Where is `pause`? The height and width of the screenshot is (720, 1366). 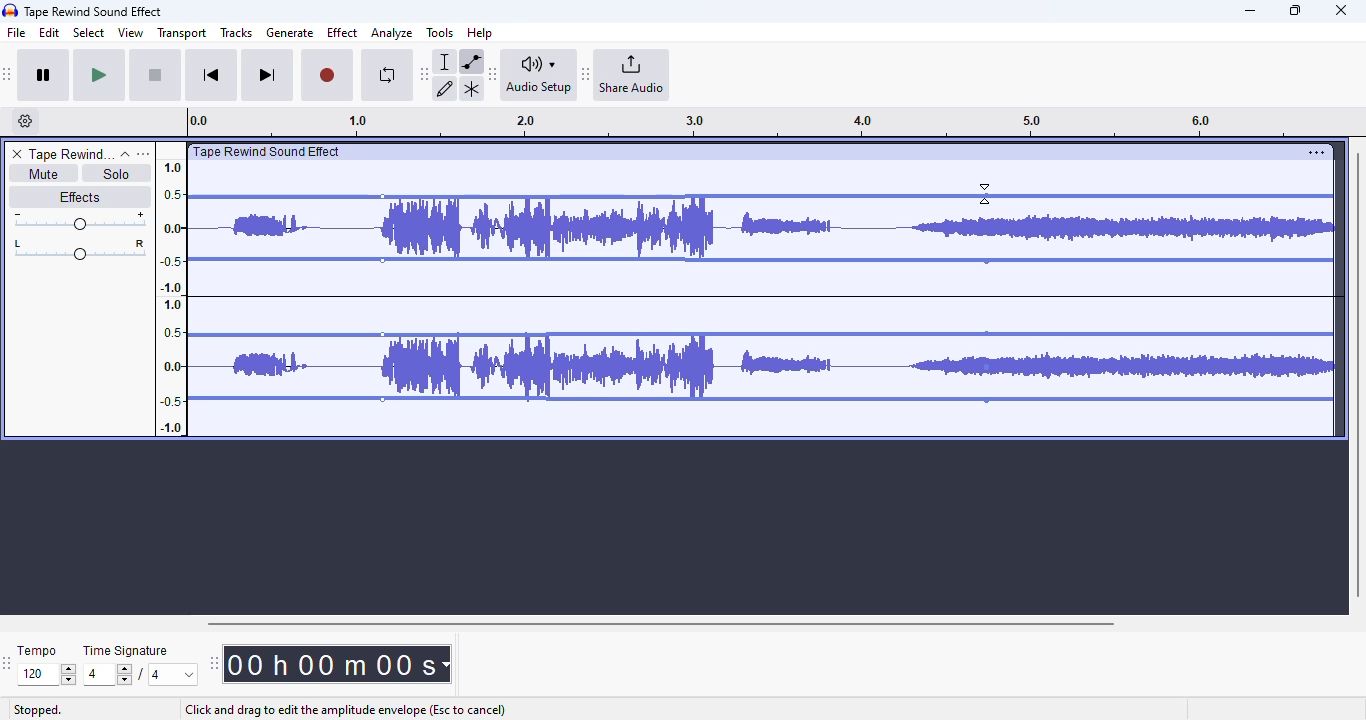
pause is located at coordinates (44, 76).